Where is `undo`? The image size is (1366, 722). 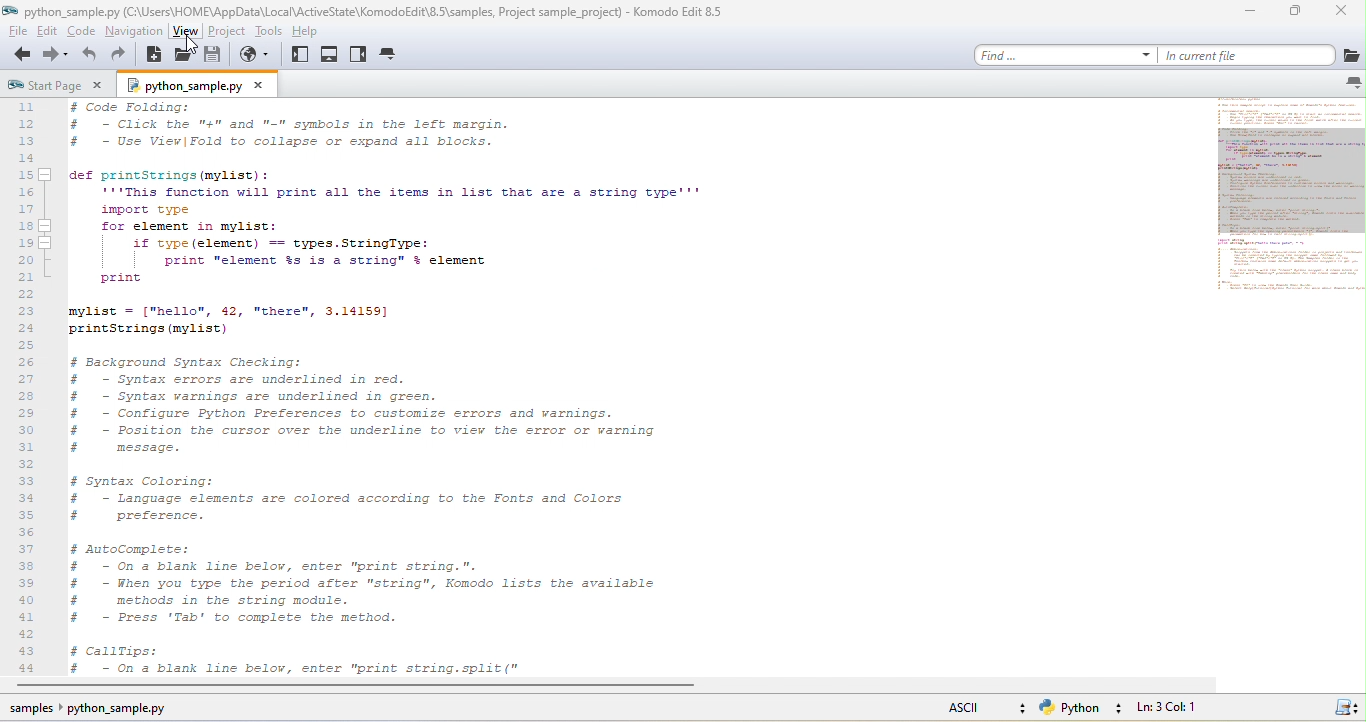
undo is located at coordinates (89, 54).